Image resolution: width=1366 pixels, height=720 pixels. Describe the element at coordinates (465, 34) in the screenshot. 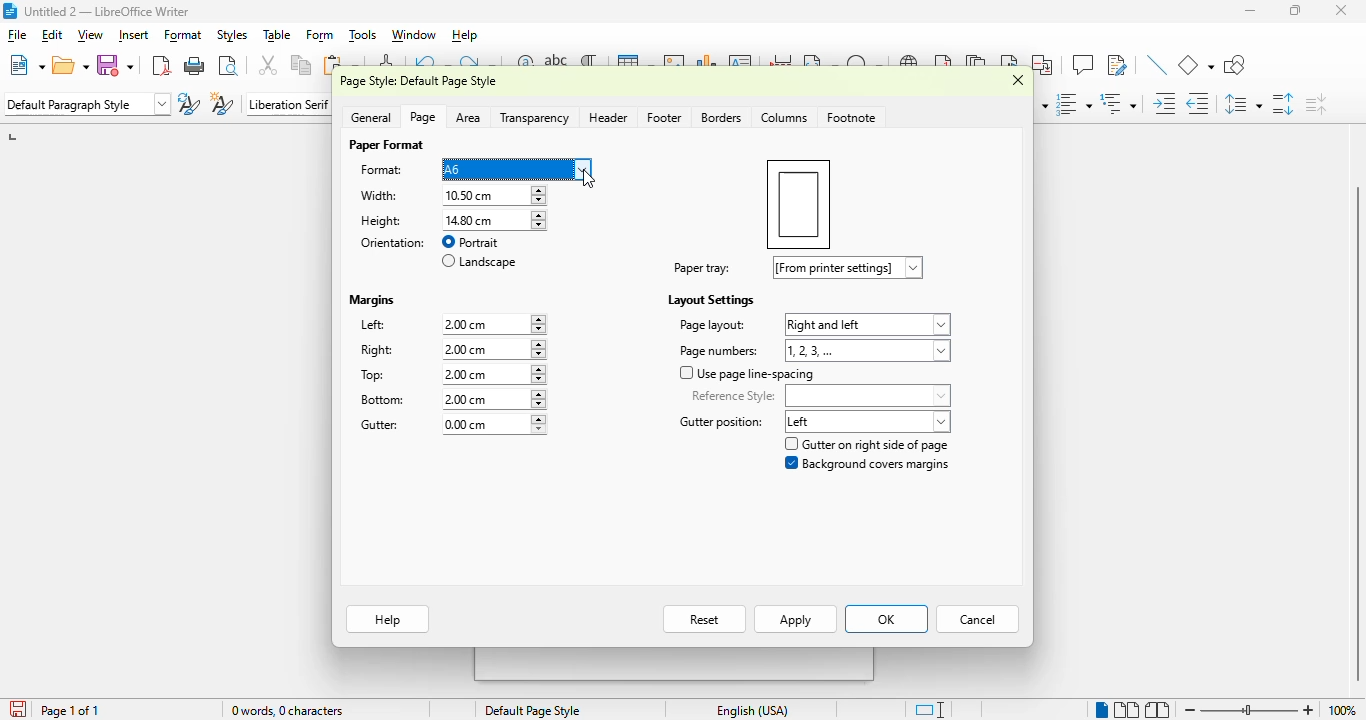

I see `help` at that location.